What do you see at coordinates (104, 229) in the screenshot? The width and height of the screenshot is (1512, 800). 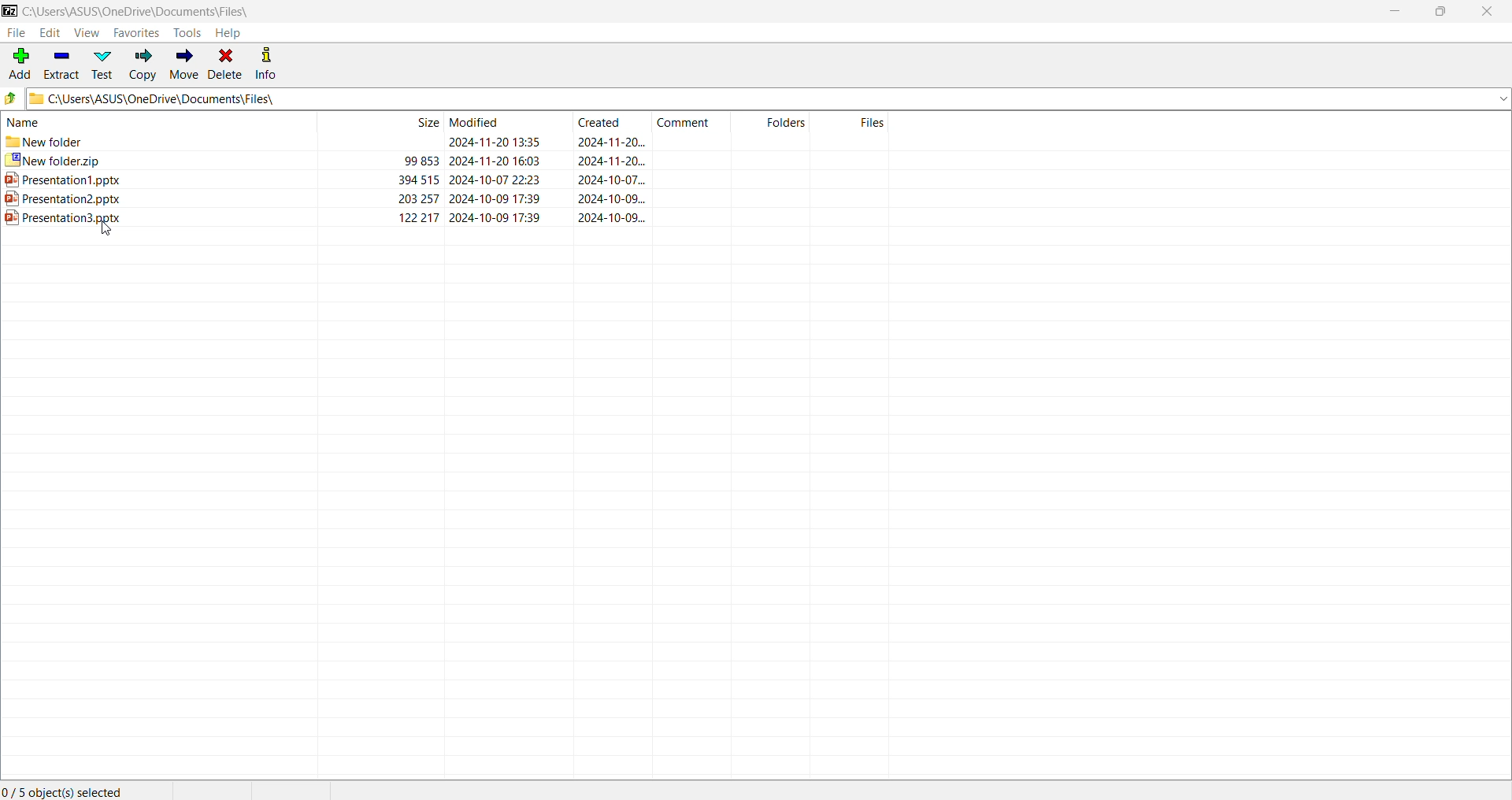 I see `cursor` at bounding box center [104, 229].